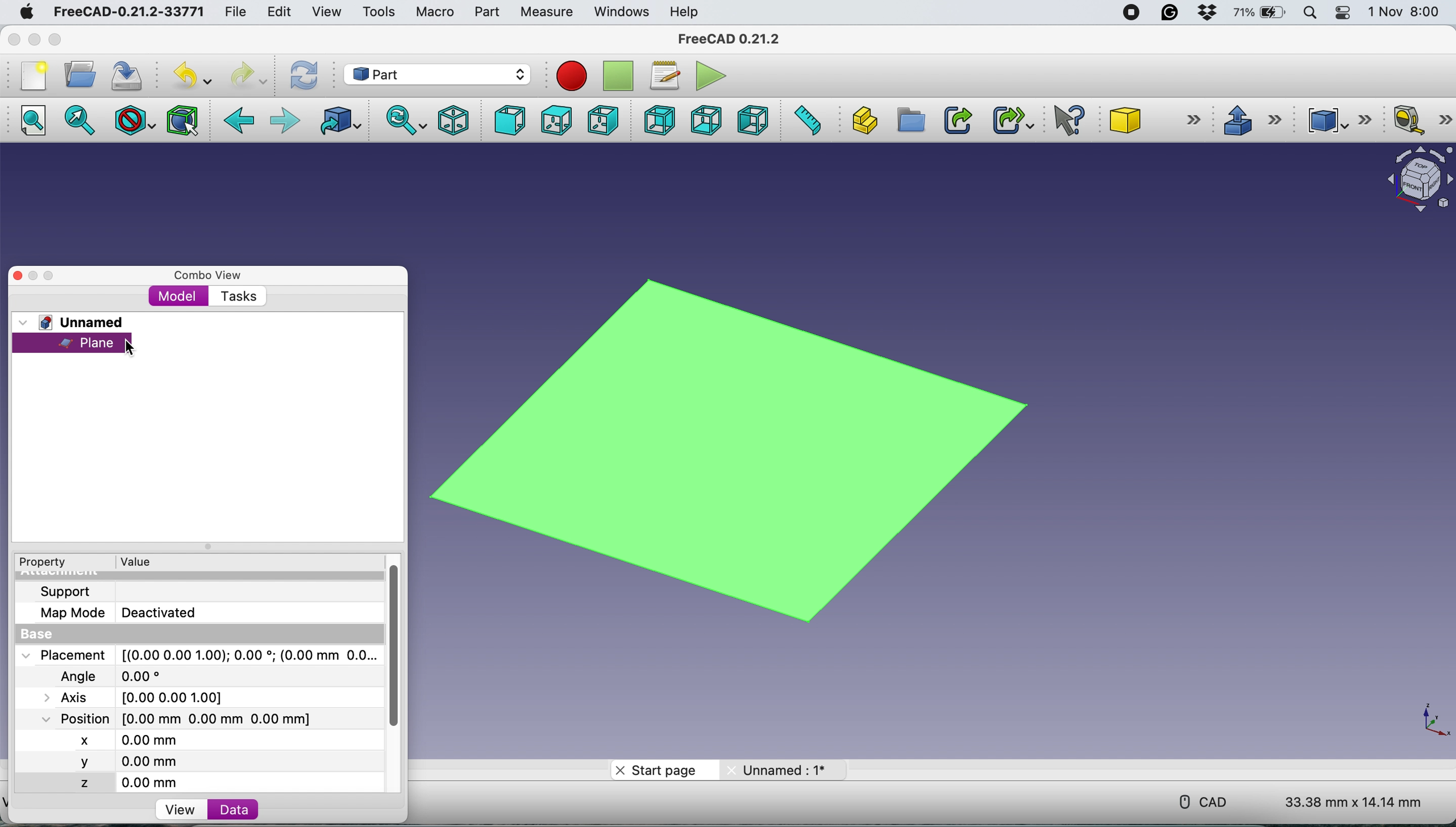 This screenshot has width=1456, height=827. What do you see at coordinates (703, 121) in the screenshot?
I see `bottom` at bounding box center [703, 121].